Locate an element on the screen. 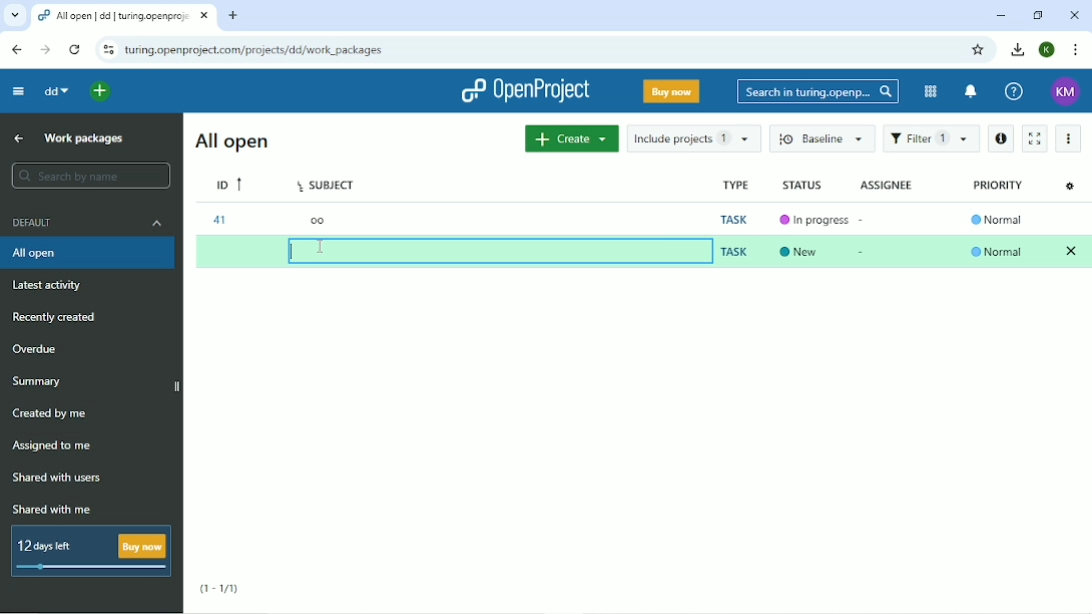 The width and height of the screenshot is (1092, 614). To notification center is located at coordinates (971, 92).